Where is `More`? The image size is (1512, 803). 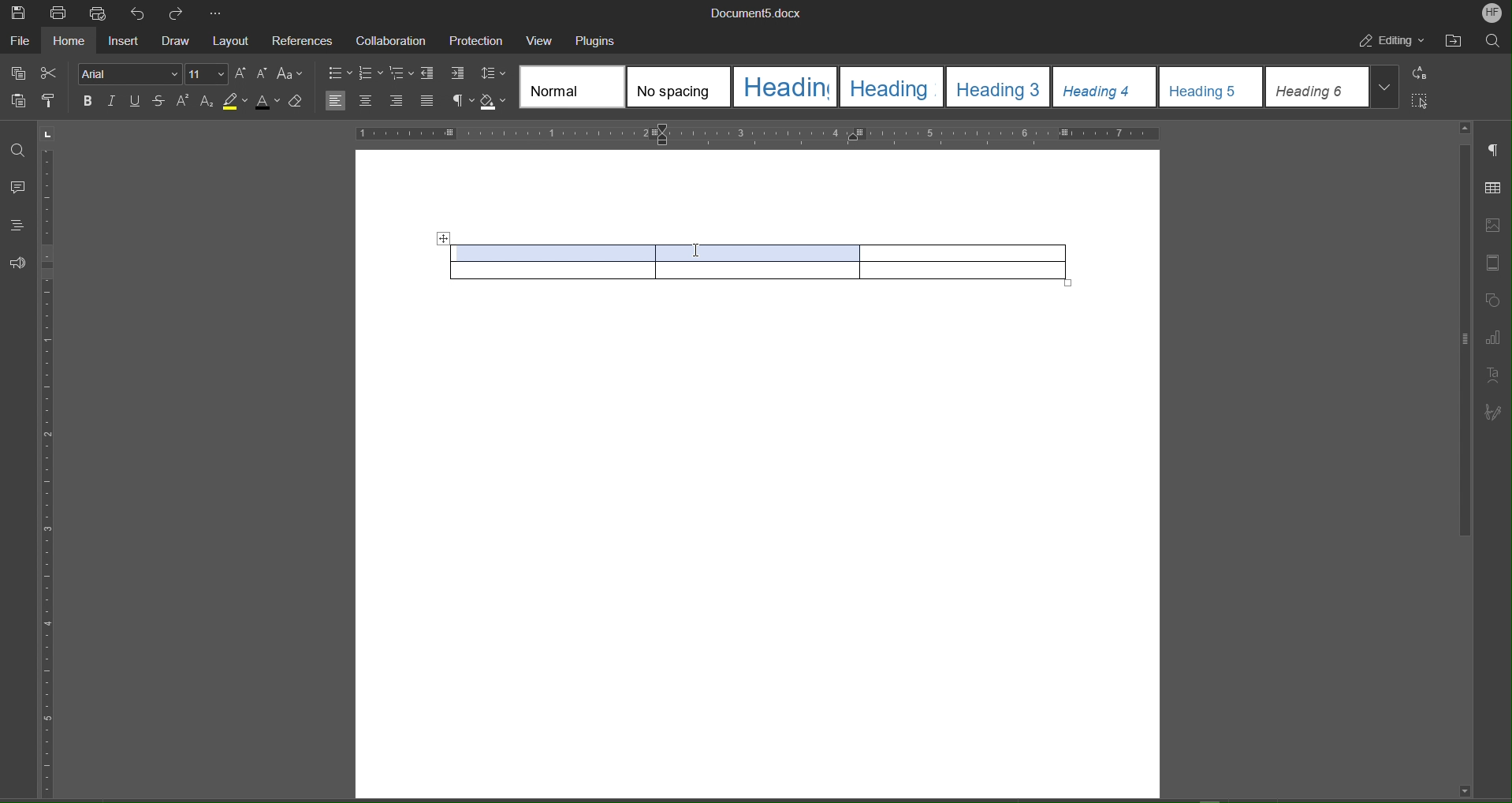
More is located at coordinates (218, 14).